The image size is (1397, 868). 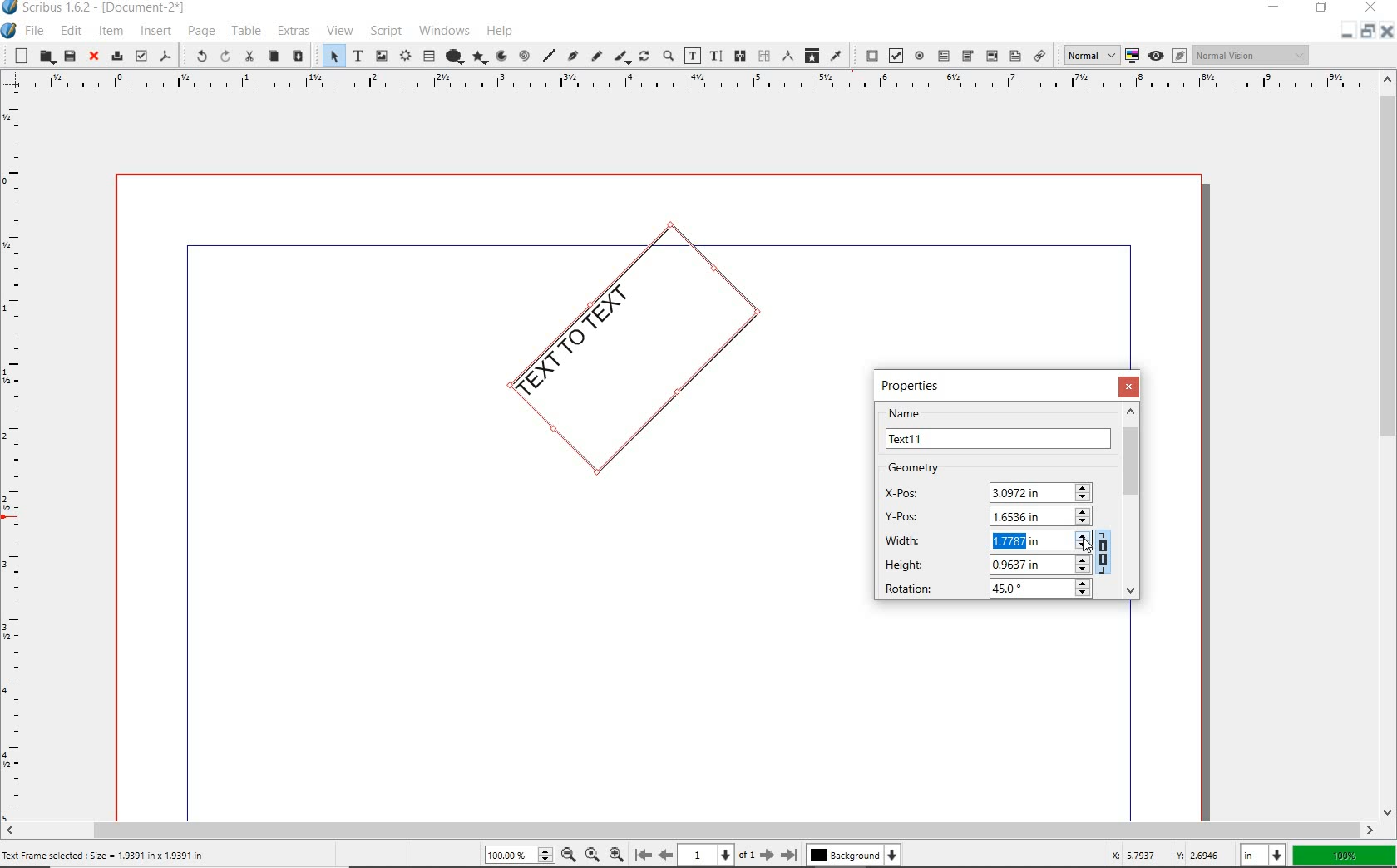 What do you see at coordinates (1085, 547) in the screenshot?
I see `CURSOR` at bounding box center [1085, 547].